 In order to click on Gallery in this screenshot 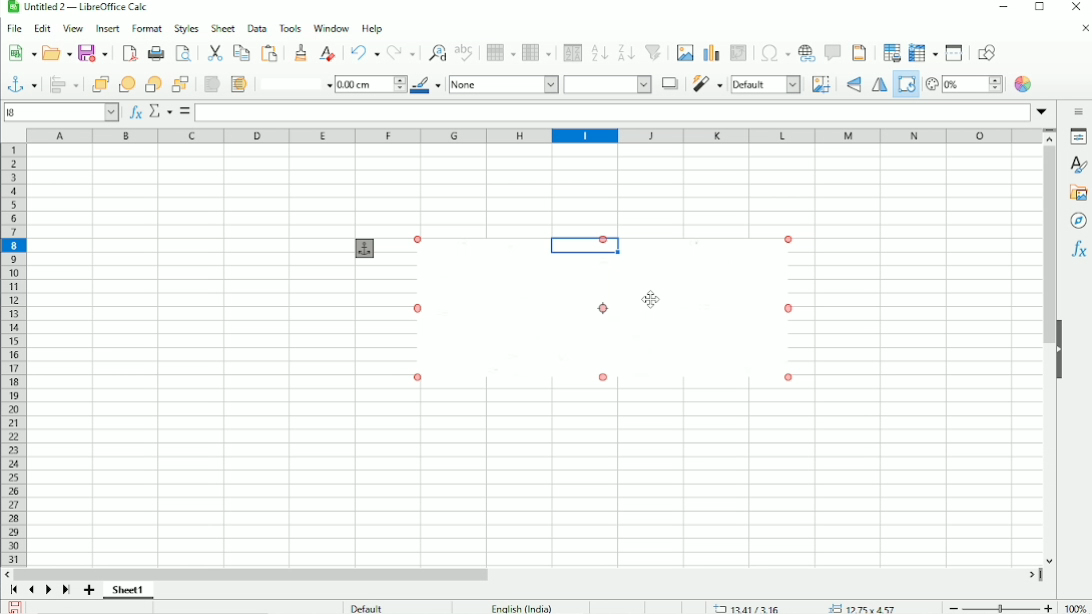, I will do `click(1077, 193)`.